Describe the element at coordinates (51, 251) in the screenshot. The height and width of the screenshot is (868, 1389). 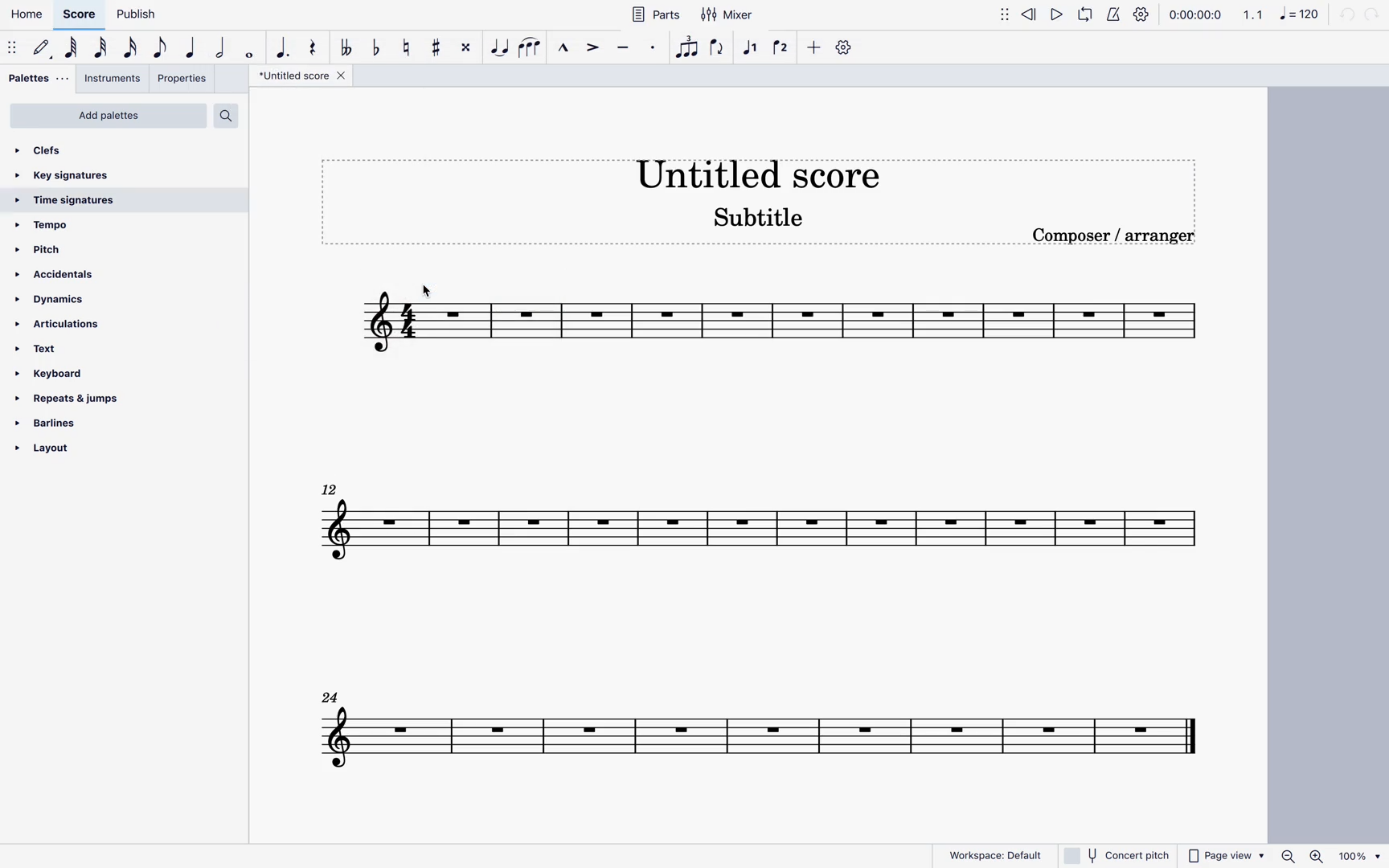
I see `pitch` at that location.